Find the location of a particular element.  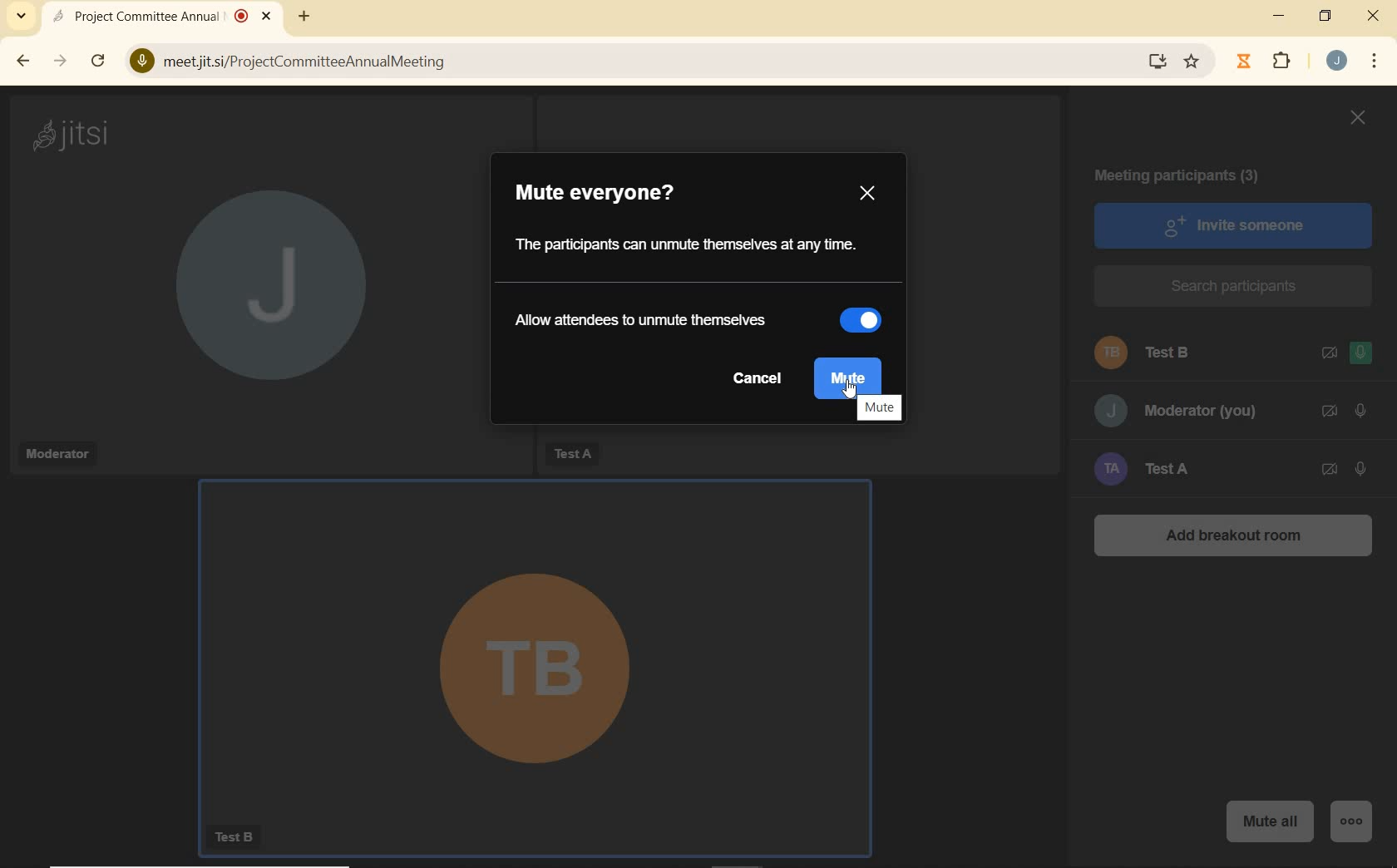

MICROPHONE is located at coordinates (1359, 411).